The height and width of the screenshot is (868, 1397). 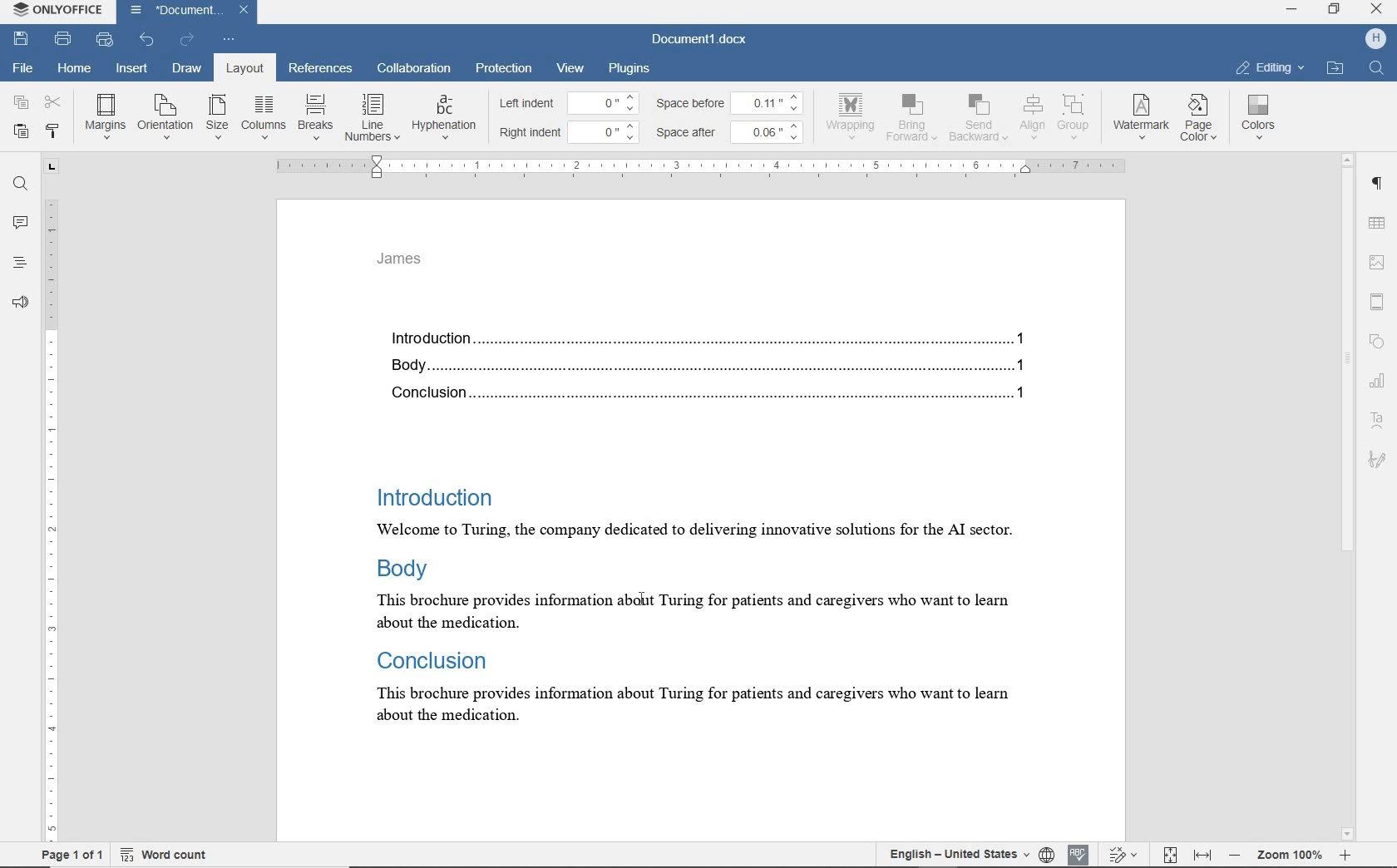 What do you see at coordinates (321, 70) in the screenshot?
I see `references` at bounding box center [321, 70].